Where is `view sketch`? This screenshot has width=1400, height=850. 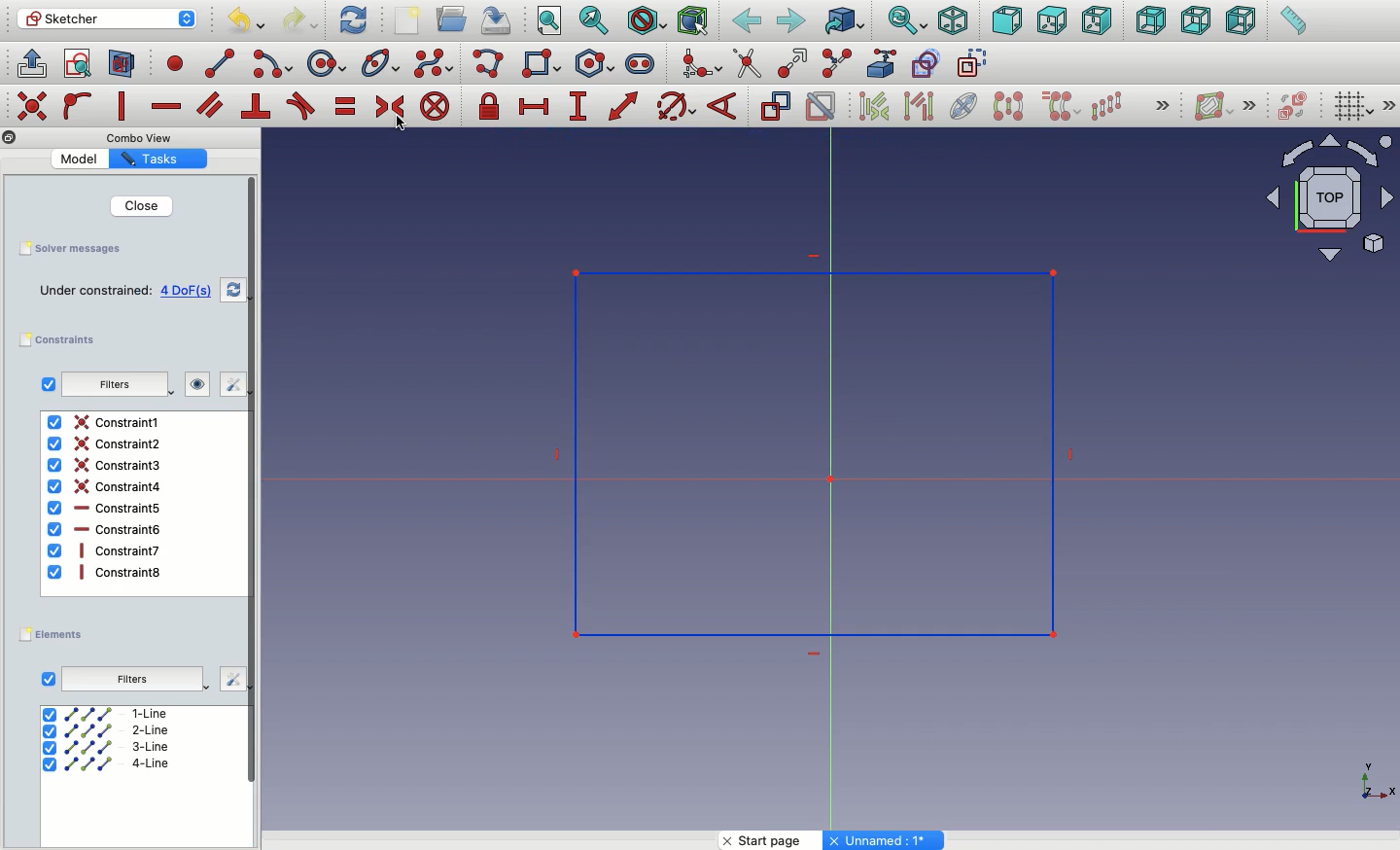
view sketch is located at coordinates (81, 65).